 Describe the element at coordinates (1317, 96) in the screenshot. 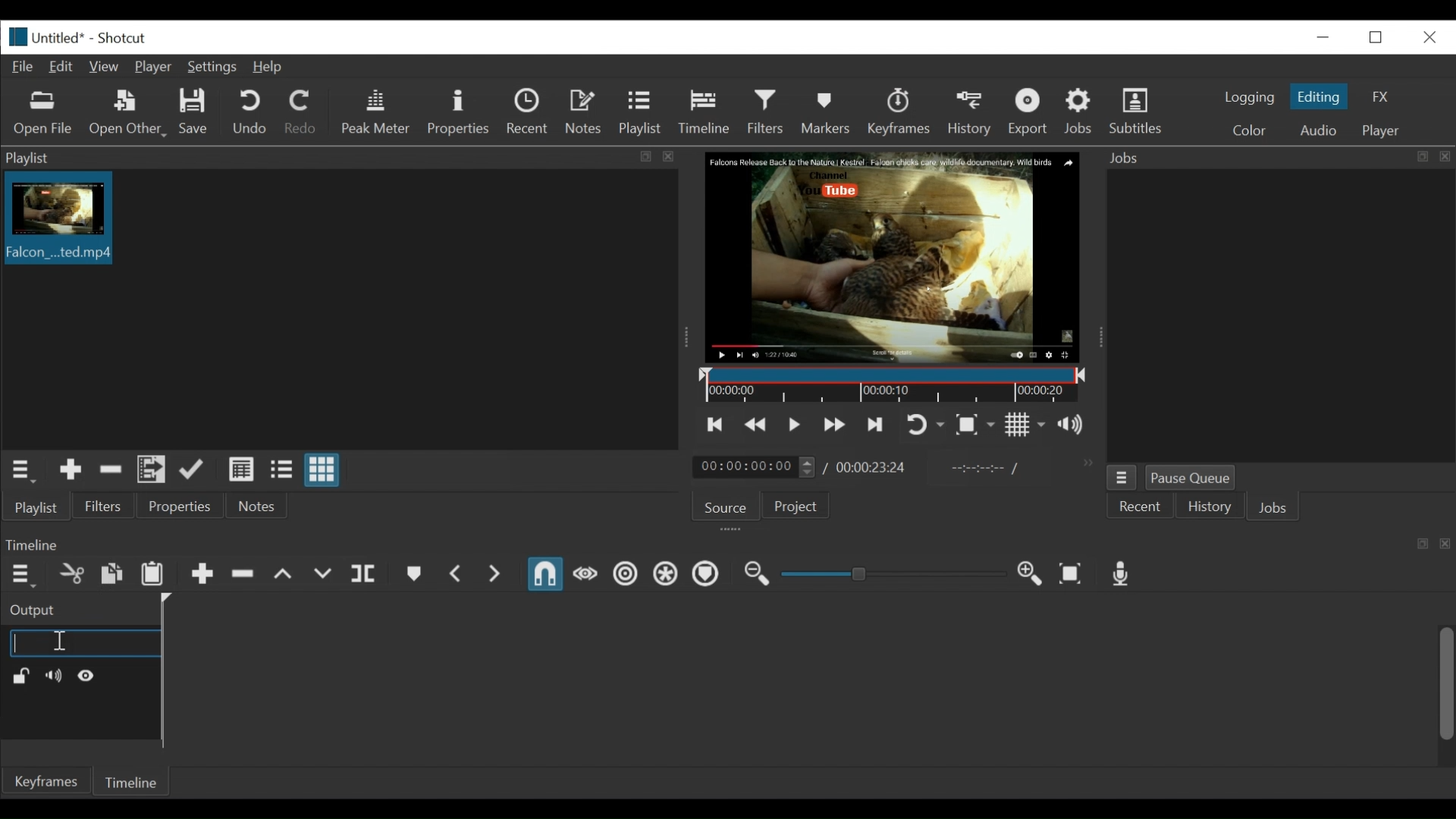

I see `Editing` at that location.